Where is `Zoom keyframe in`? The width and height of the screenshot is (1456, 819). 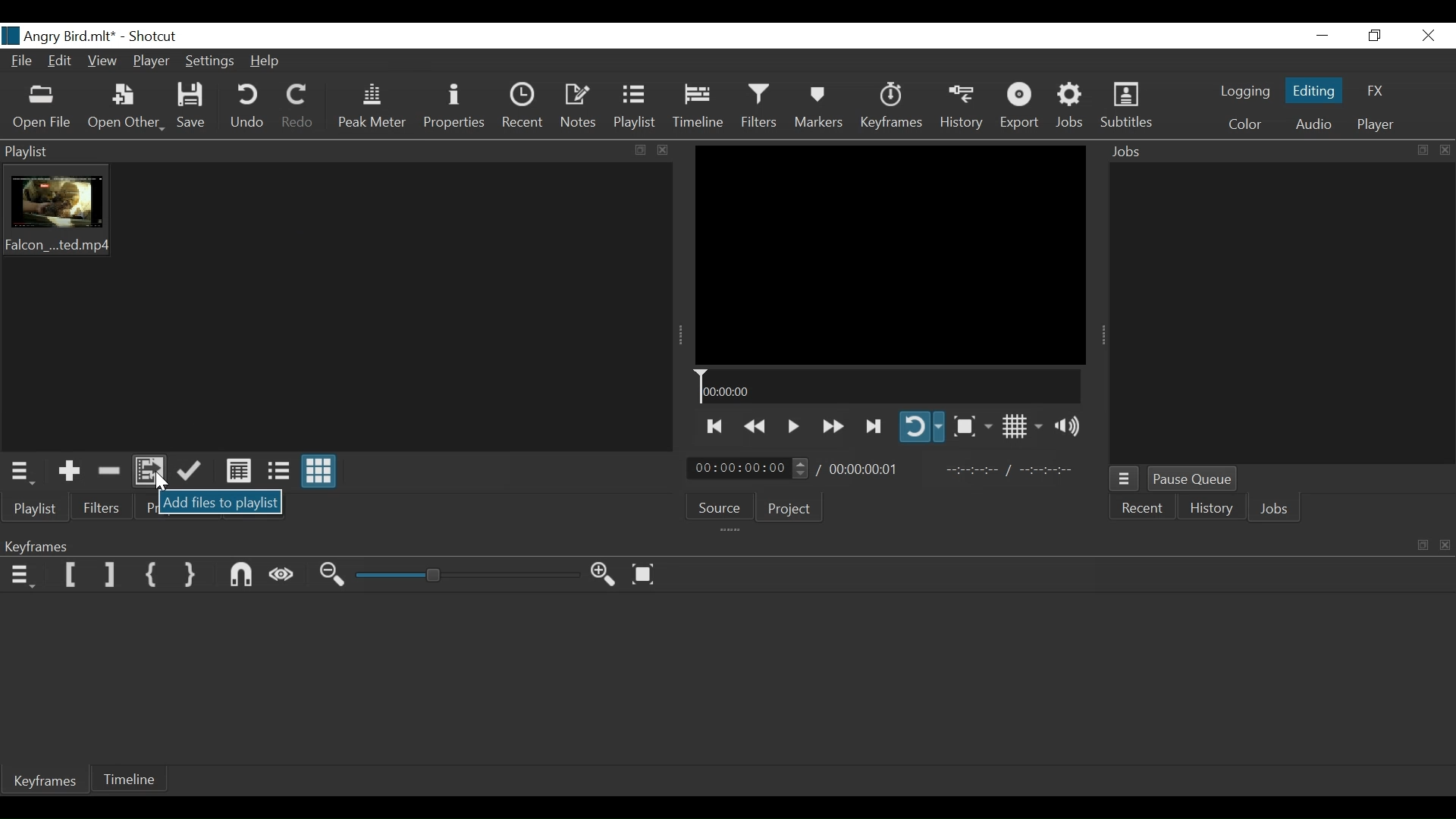 Zoom keyframe in is located at coordinates (333, 574).